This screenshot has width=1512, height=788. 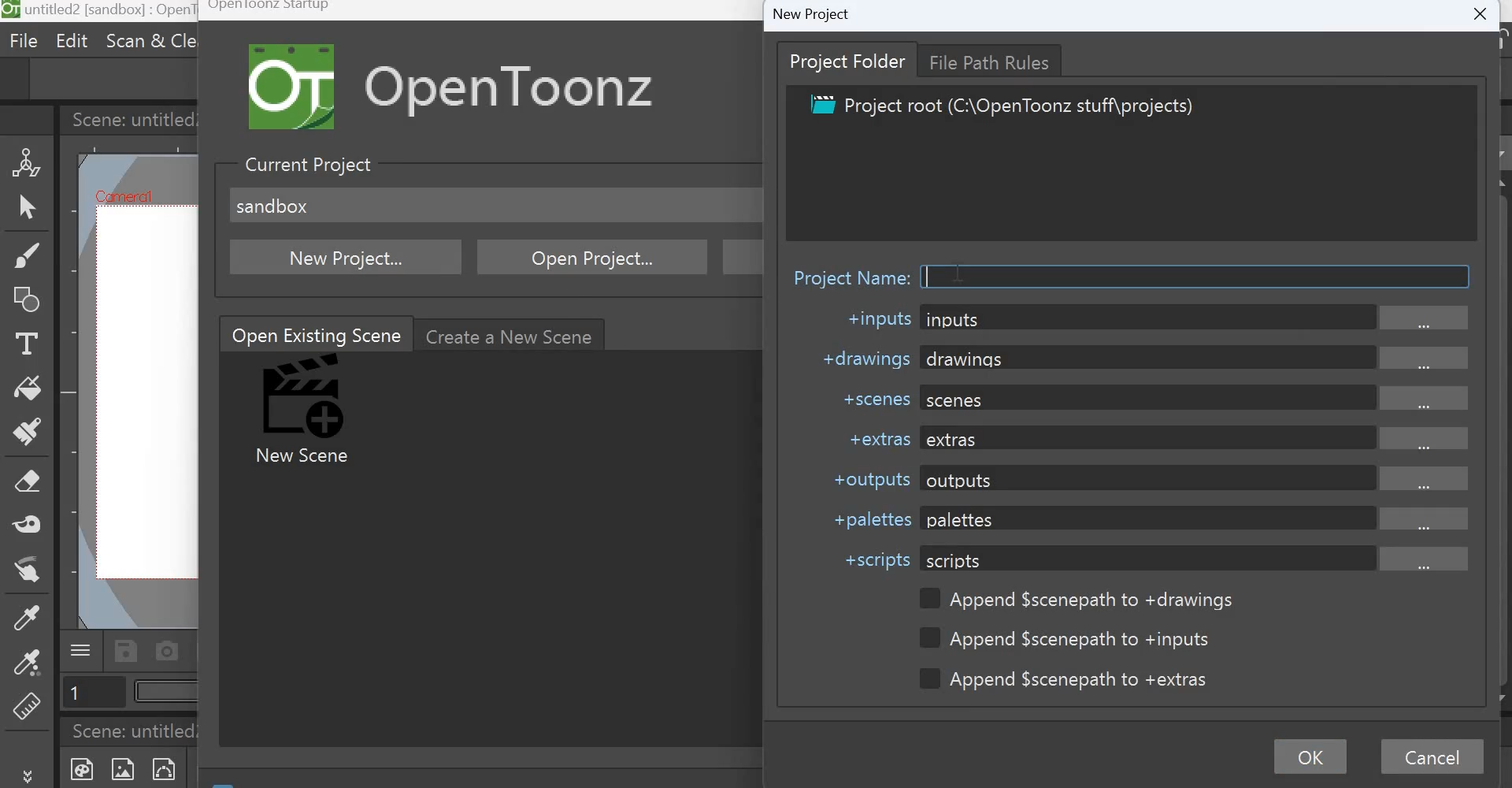 What do you see at coordinates (169, 650) in the screenshot?
I see `Capture` at bounding box center [169, 650].